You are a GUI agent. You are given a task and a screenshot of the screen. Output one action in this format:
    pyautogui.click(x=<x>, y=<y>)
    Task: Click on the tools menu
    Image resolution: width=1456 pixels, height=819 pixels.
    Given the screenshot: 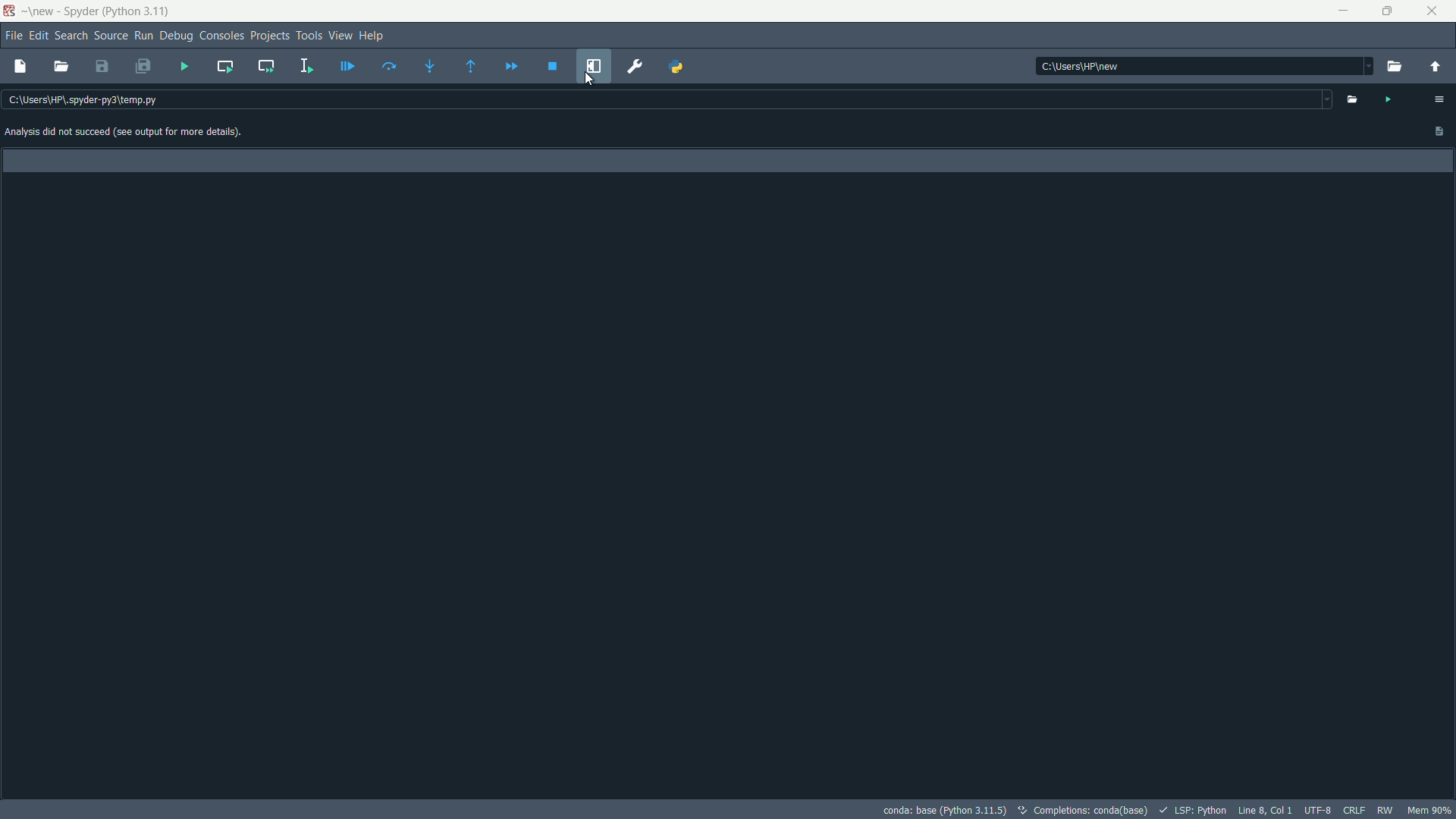 What is the action you would take?
    pyautogui.click(x=310, y=36)
    